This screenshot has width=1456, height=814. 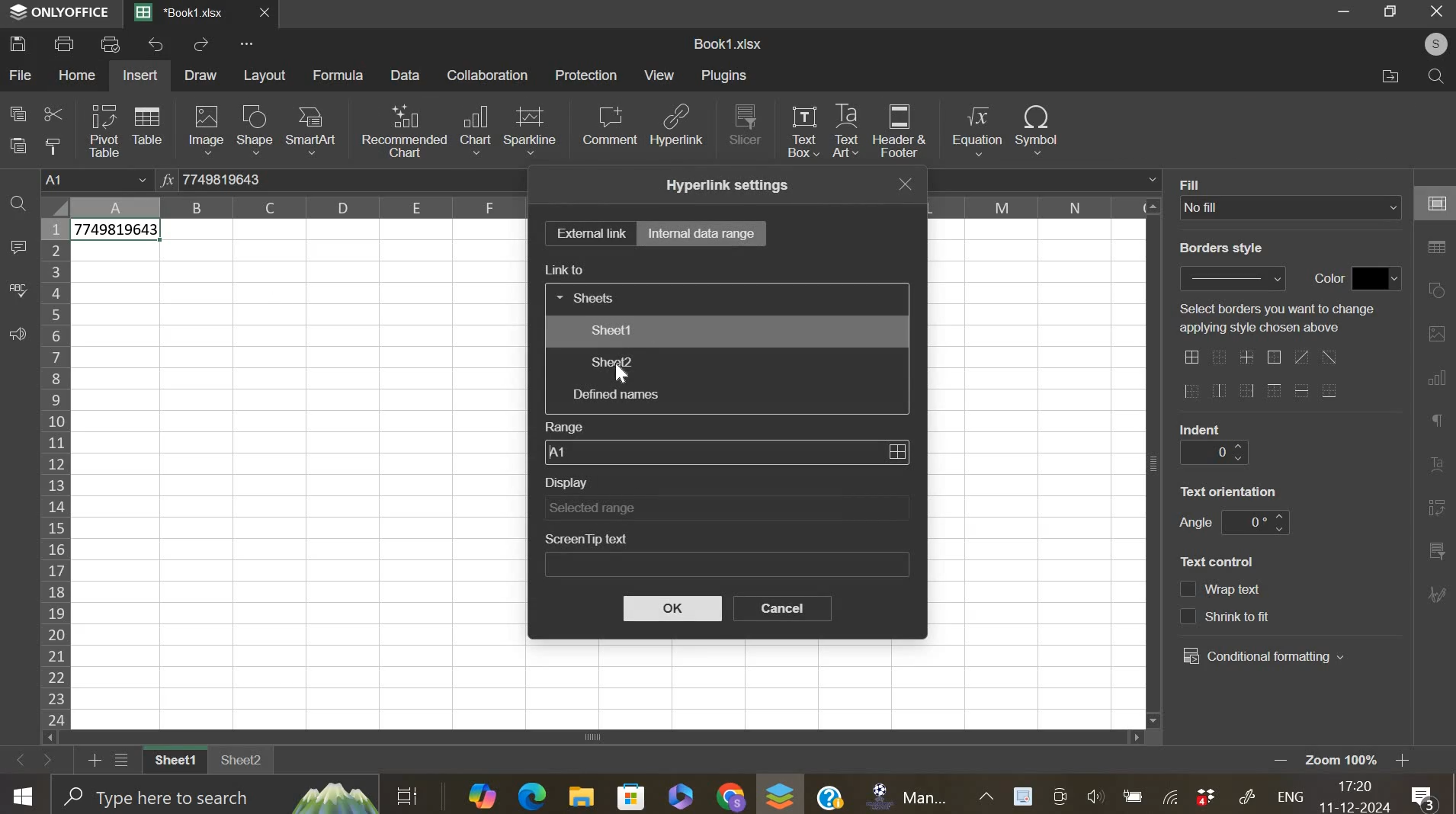 I want to click on display, so click(x=726, y=508).